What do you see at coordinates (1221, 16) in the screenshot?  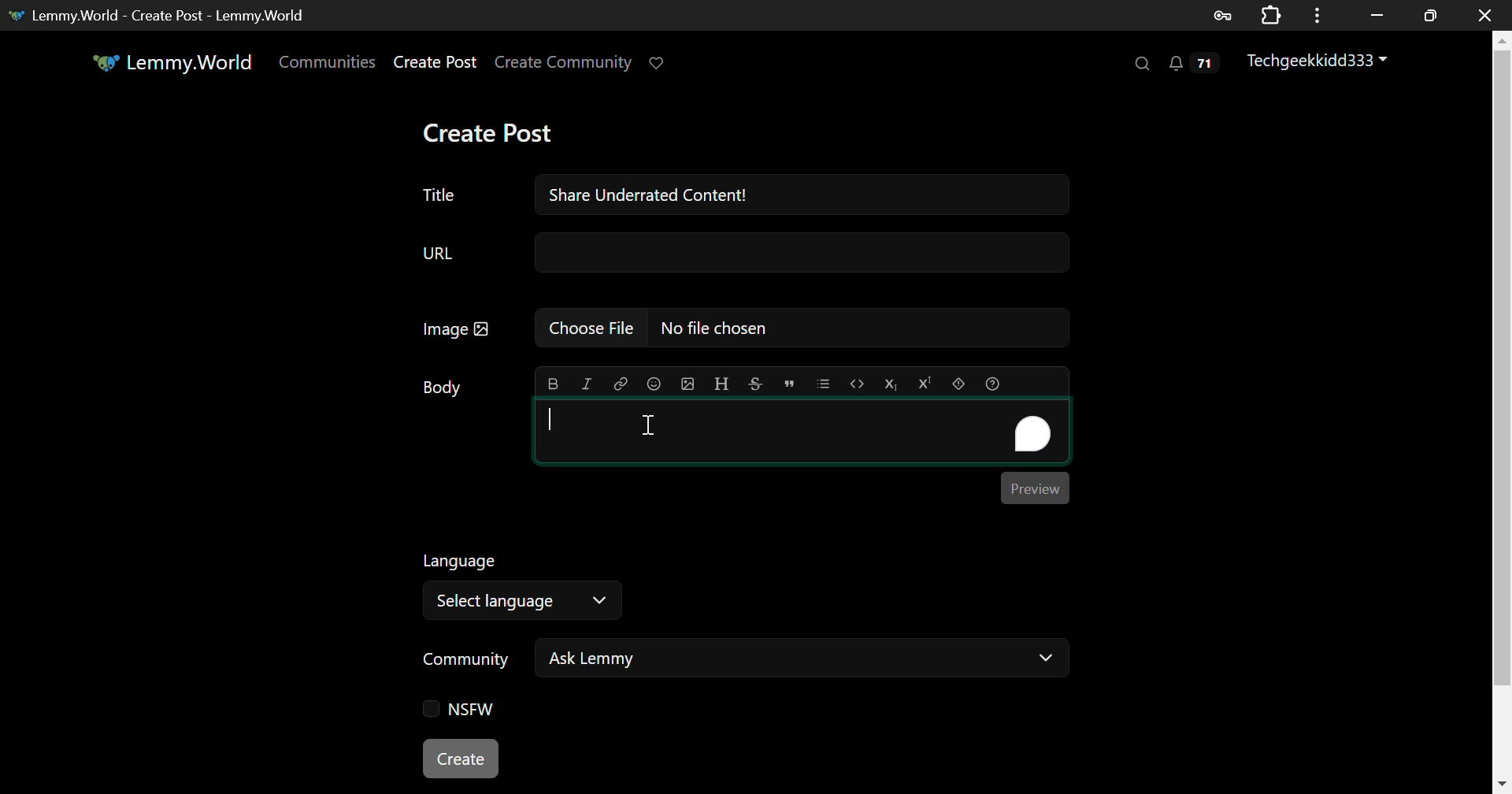 I see `Saved Password Data` at bounding box center [1221, 16].